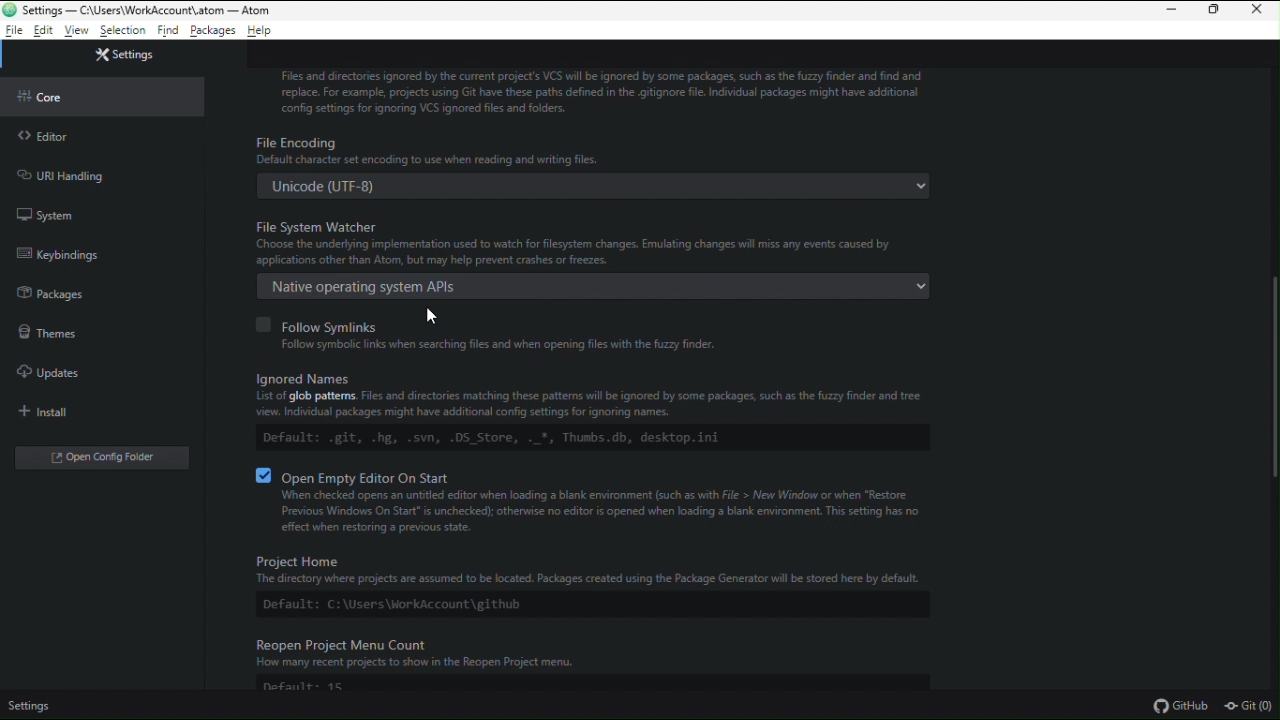 This screenshot has height=720, width=1280. I want to click on File encoding, so click(592, 166).